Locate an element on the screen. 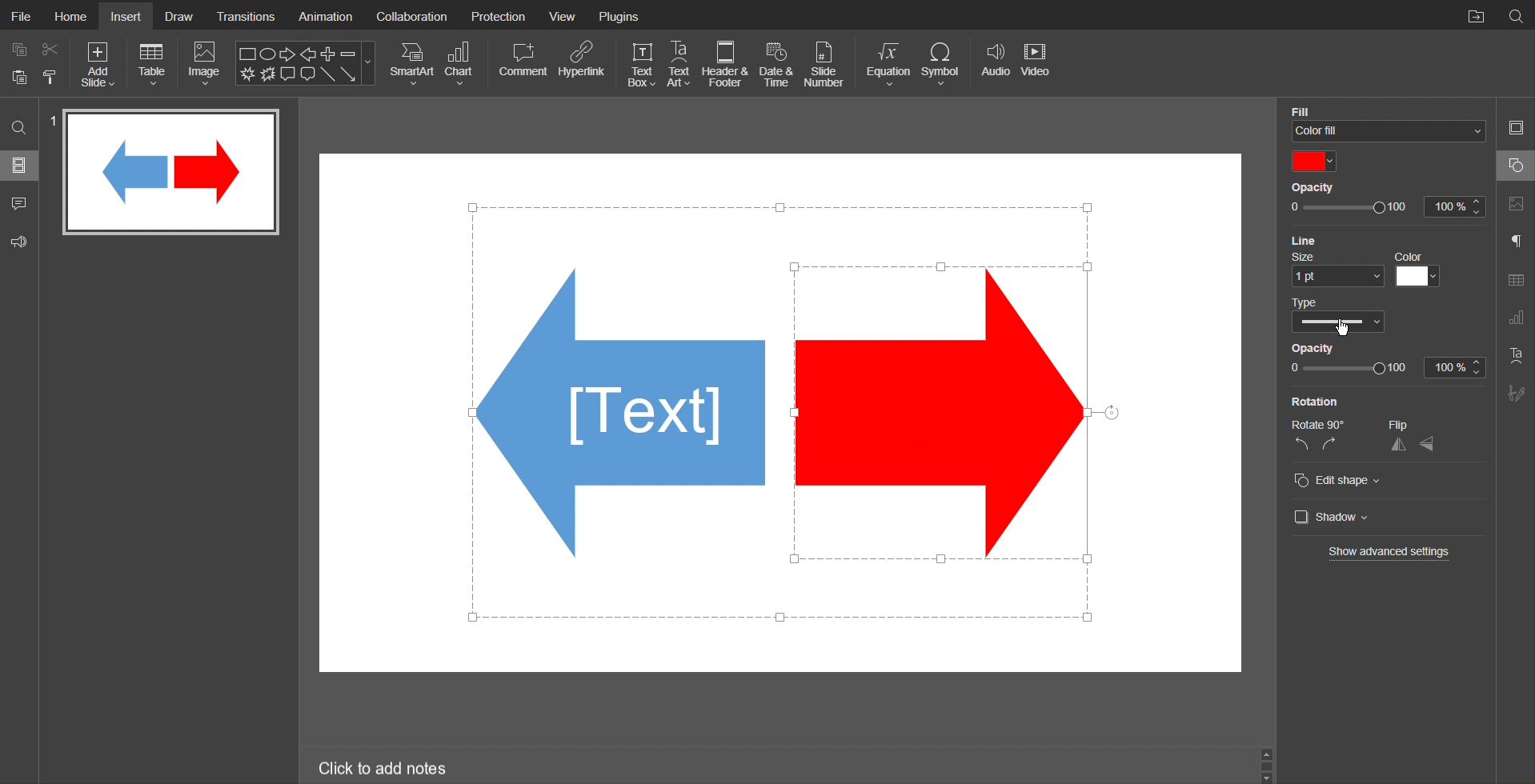  Opacity is located at coordinates (1325, 347).